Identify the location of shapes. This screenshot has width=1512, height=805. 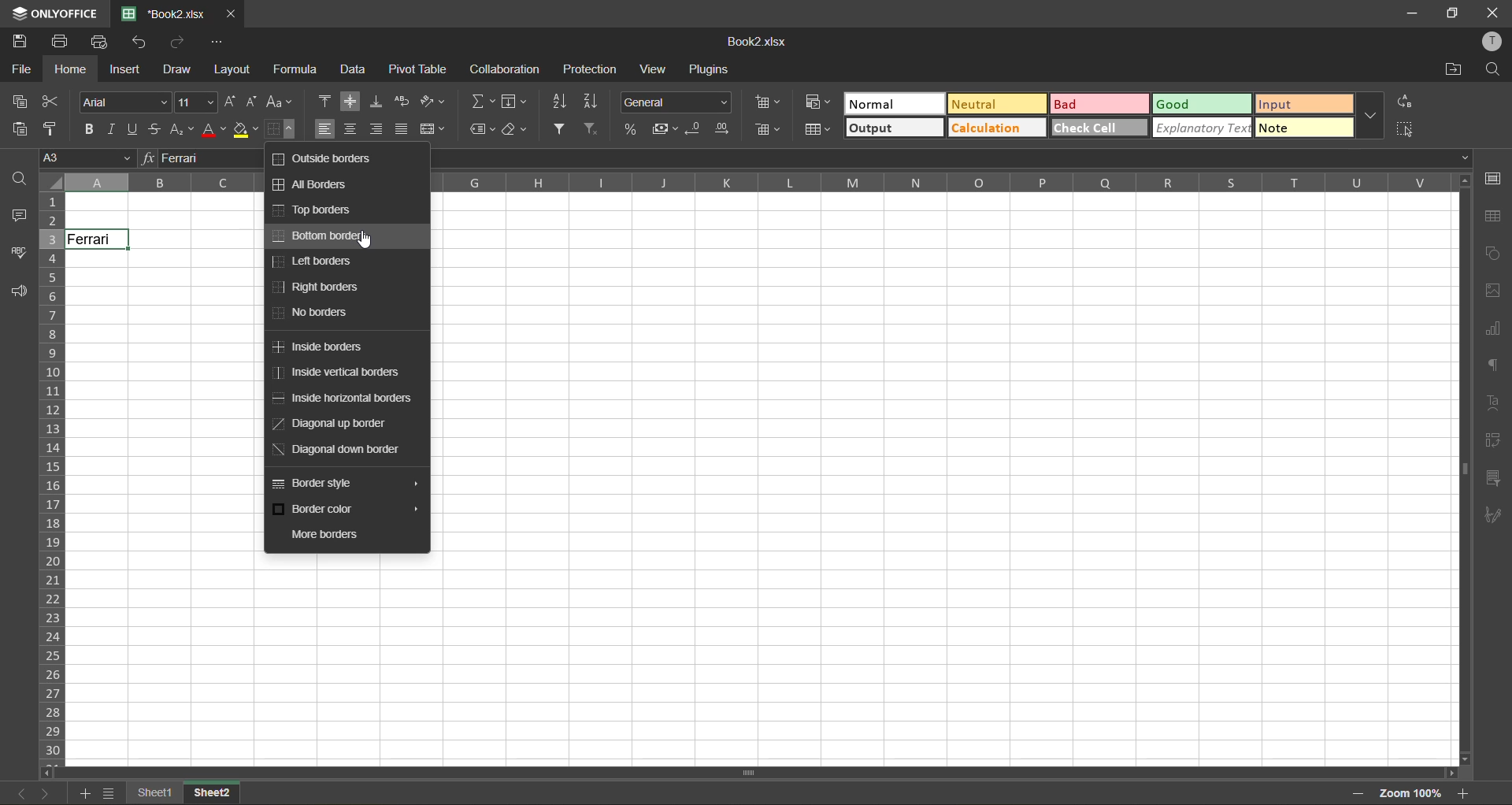
(1492, 252).